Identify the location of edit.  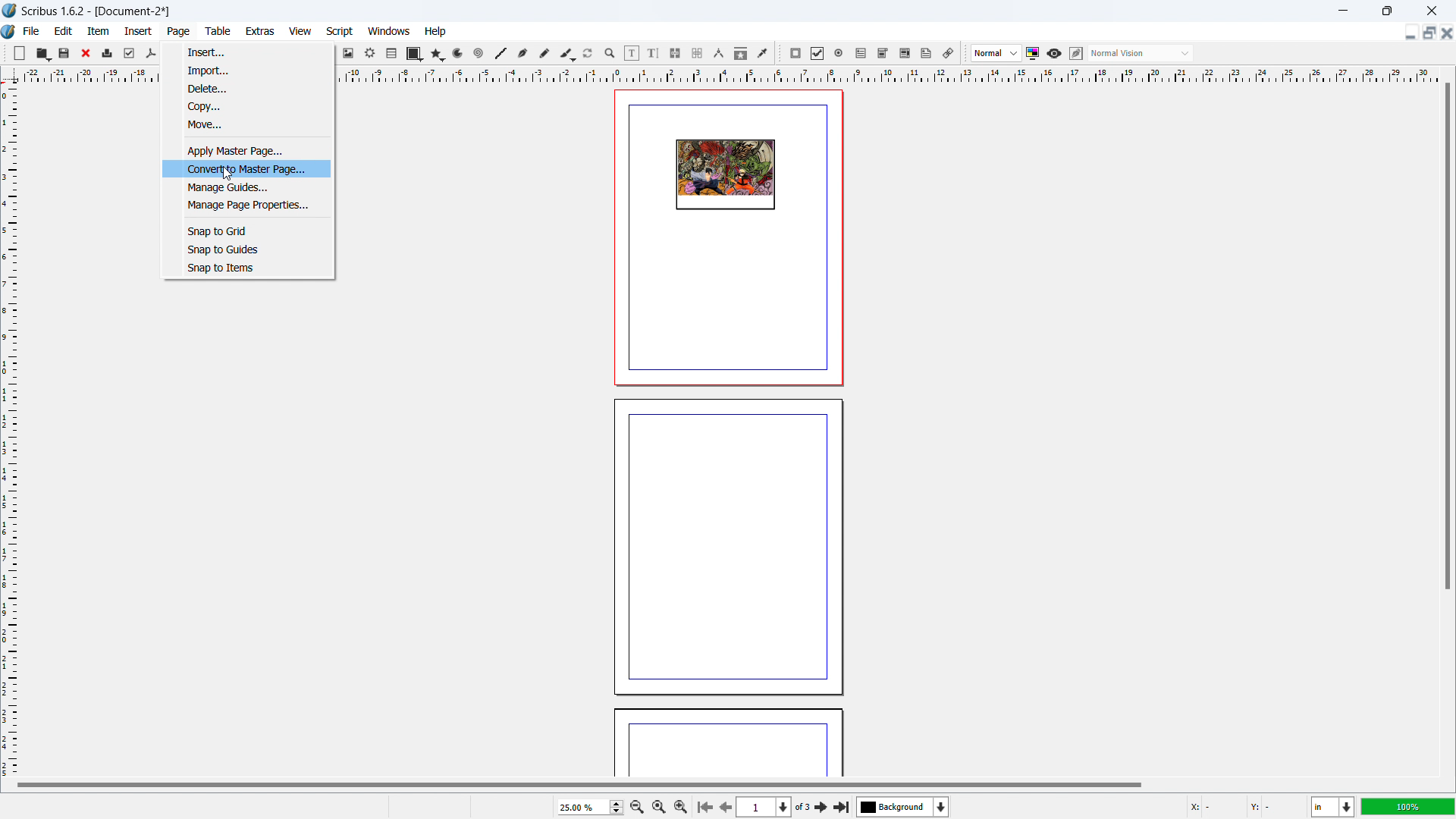
(64, 31).